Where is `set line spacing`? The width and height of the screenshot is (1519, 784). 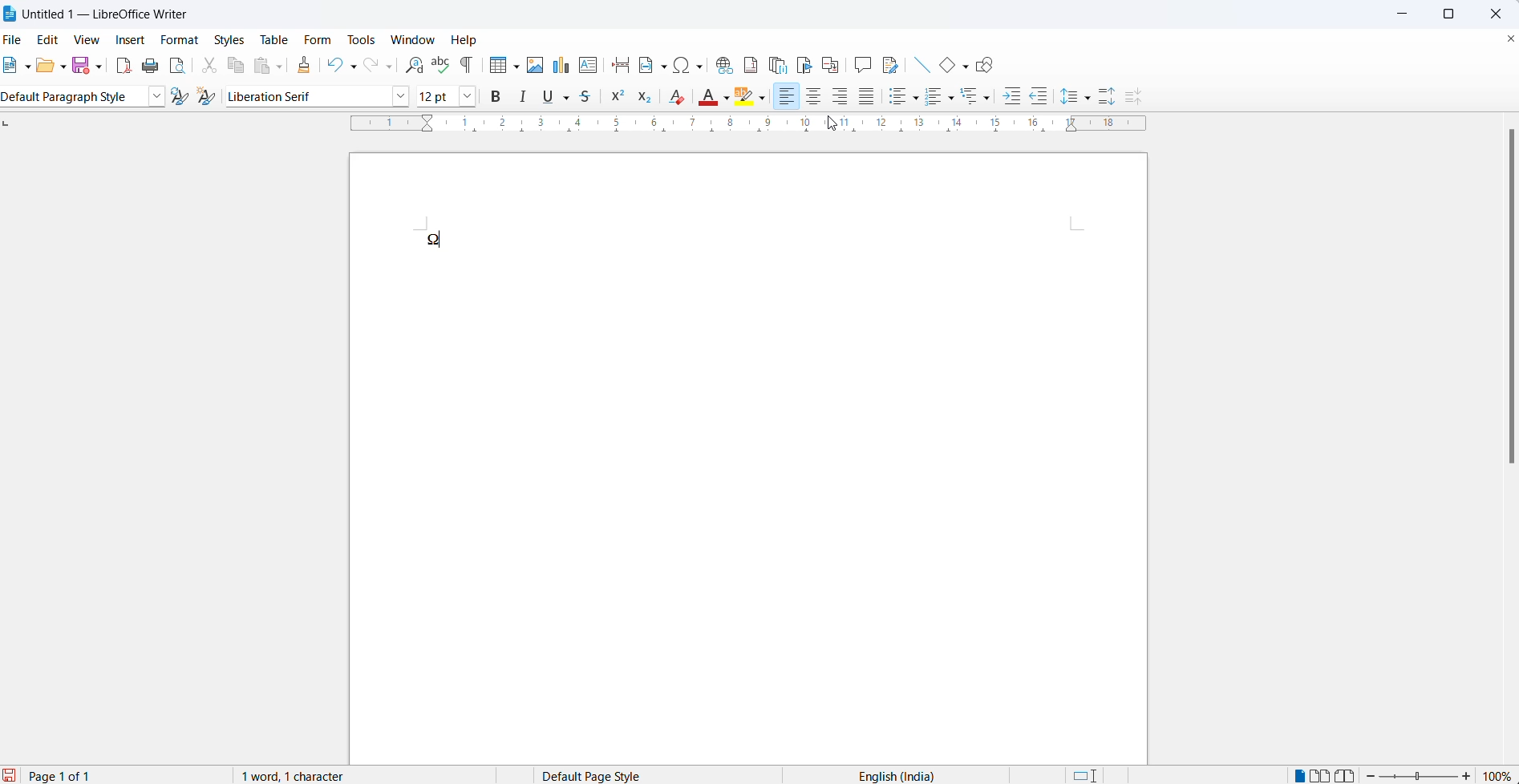
set line spacing is located at coordinates (1067, 98).